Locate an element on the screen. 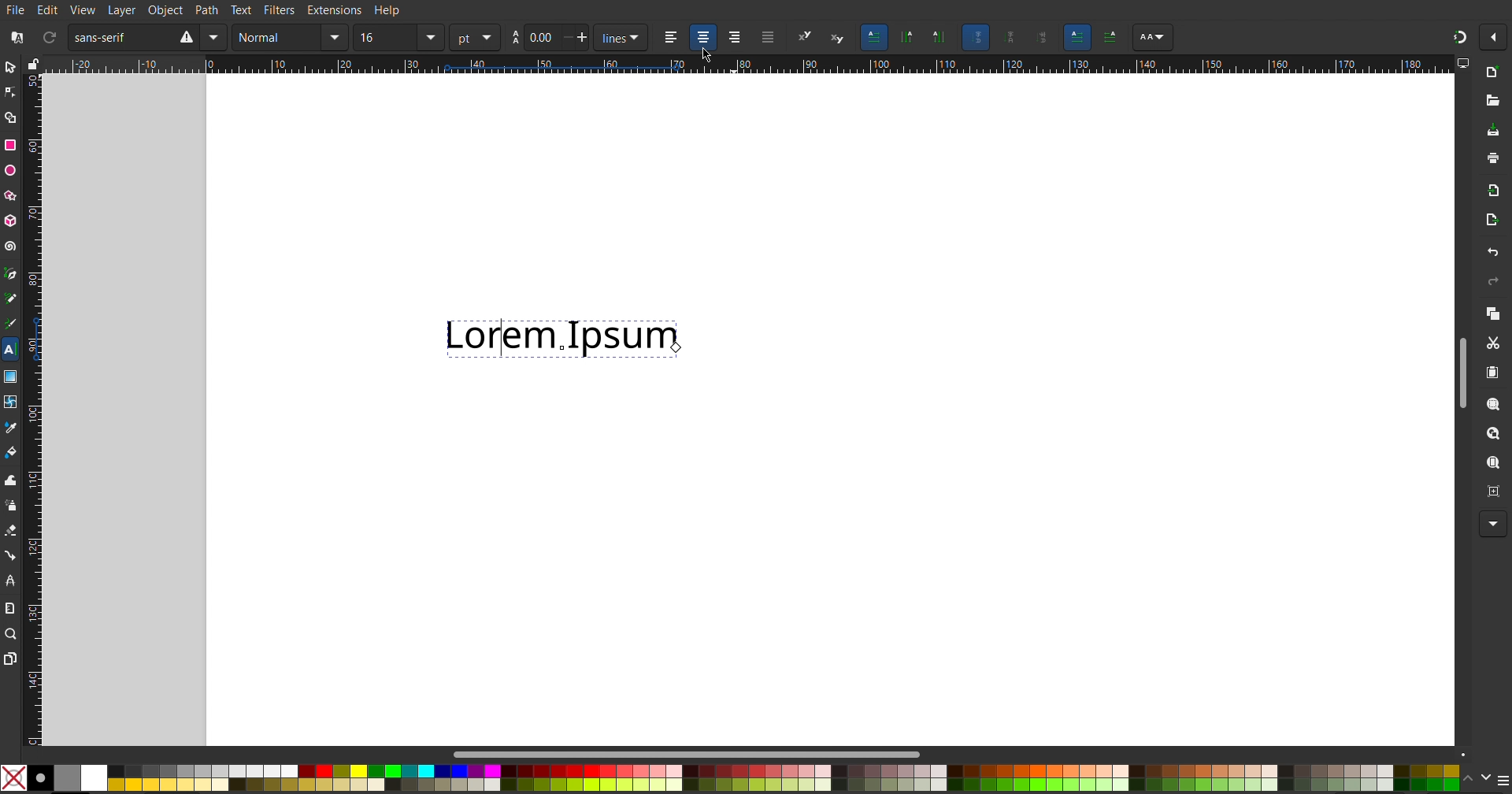  Pages is located at coordinates (10, 659).